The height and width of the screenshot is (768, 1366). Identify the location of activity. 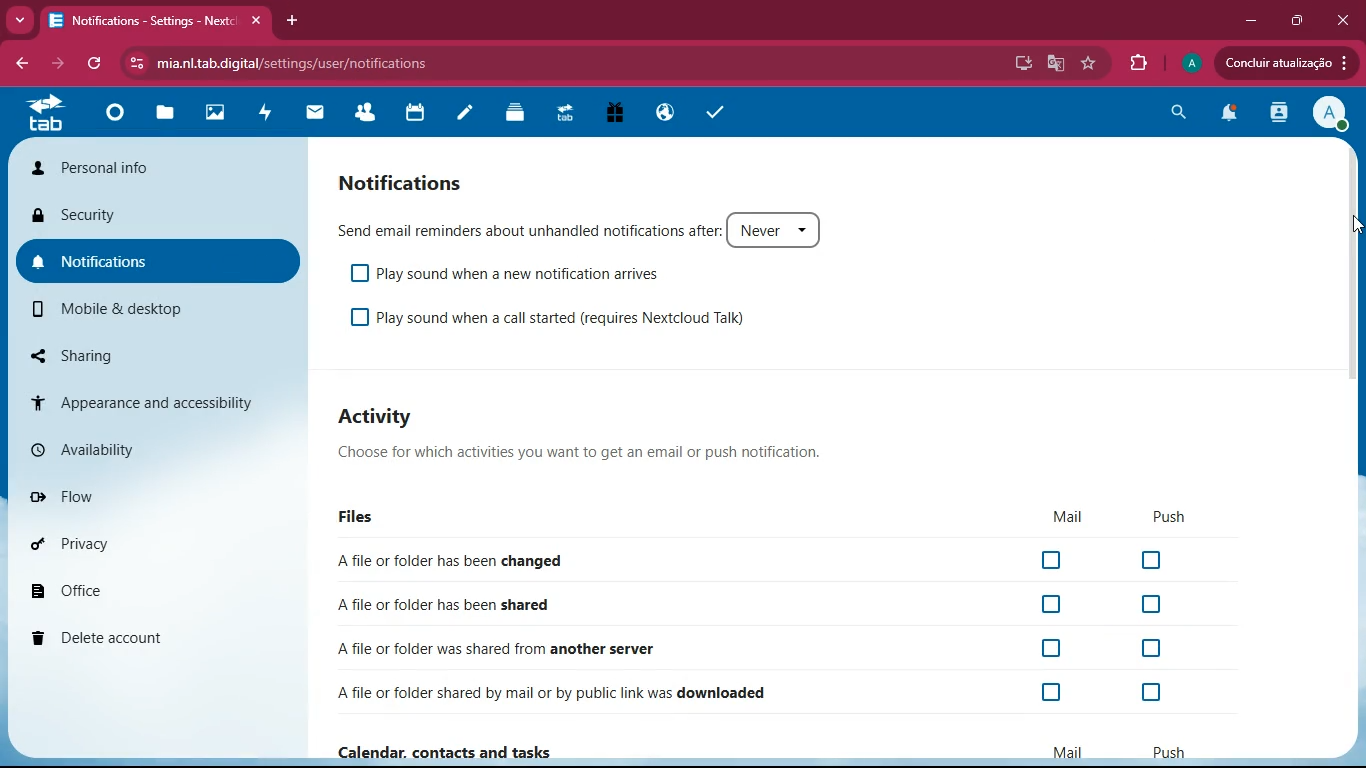
(1274, 114).